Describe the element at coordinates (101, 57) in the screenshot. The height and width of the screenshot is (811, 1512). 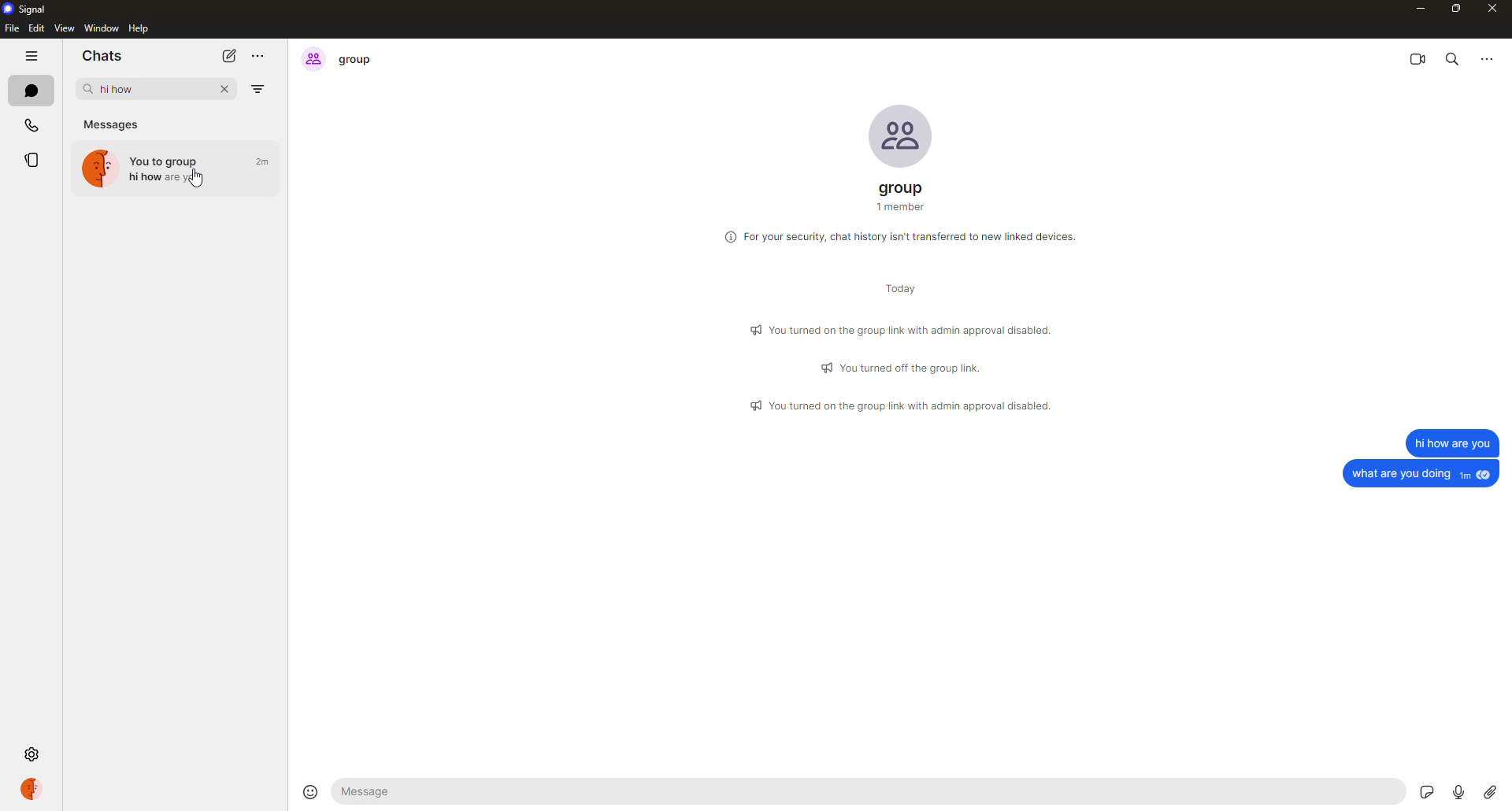
I see `chats` at that location.